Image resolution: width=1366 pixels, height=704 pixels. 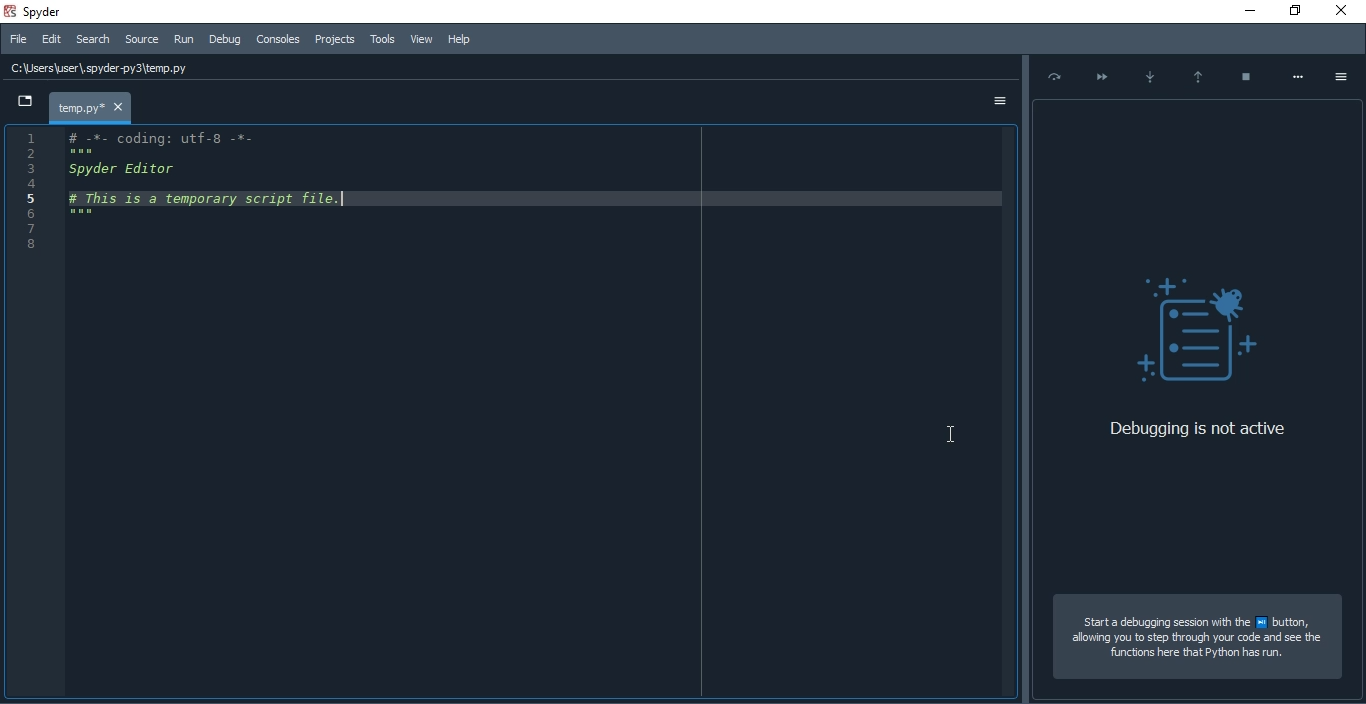 What do you see at coordinates (996, 103) in the screenshot?
I see `options` at bounding box center [996, 103].